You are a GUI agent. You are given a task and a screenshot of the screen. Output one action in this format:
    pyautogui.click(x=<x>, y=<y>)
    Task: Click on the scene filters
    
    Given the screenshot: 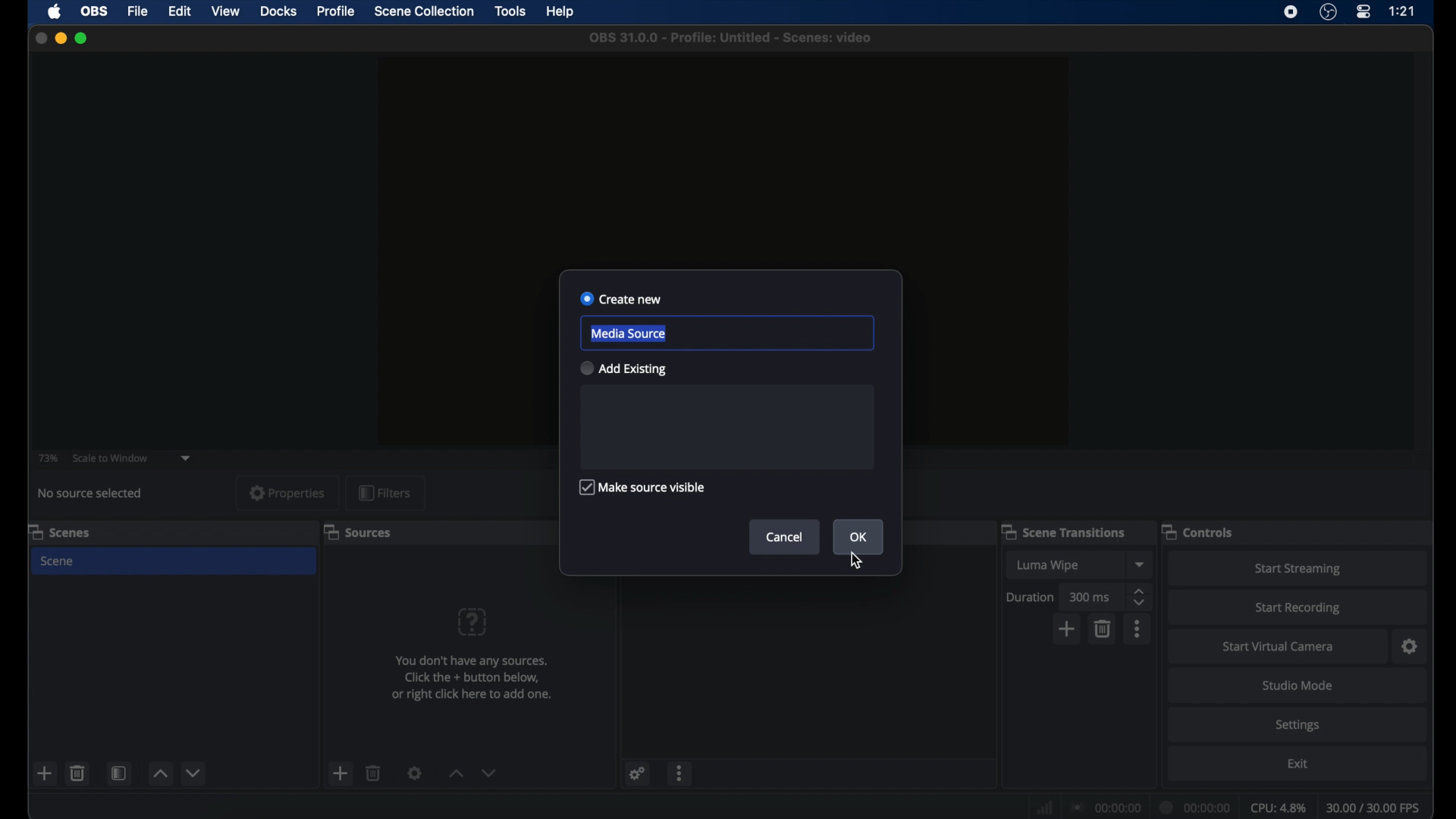 What is the action you would take?
    pyautogui.click(x=119, y=775)
    